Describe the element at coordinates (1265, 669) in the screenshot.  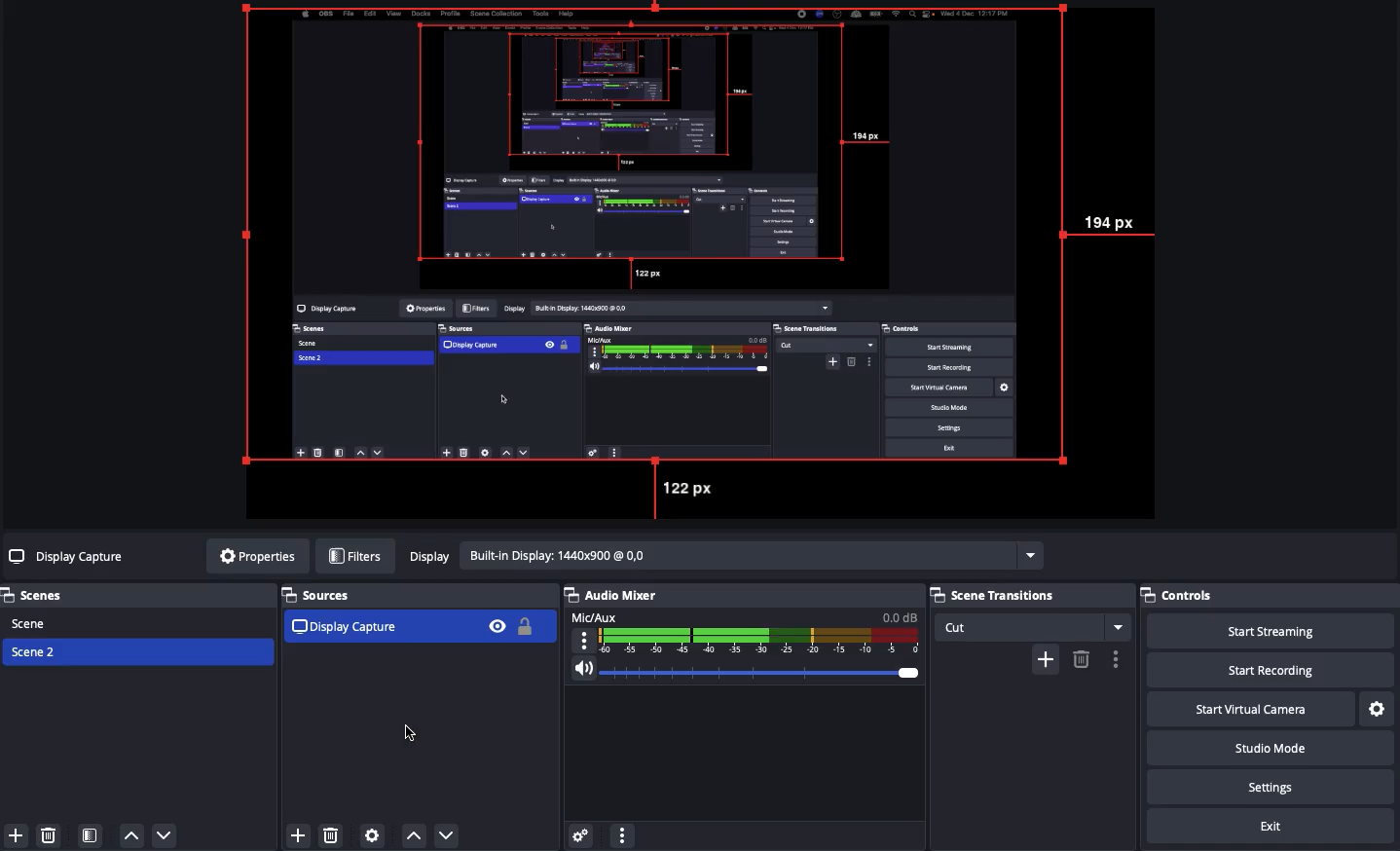
I see `Start recording` at that location.